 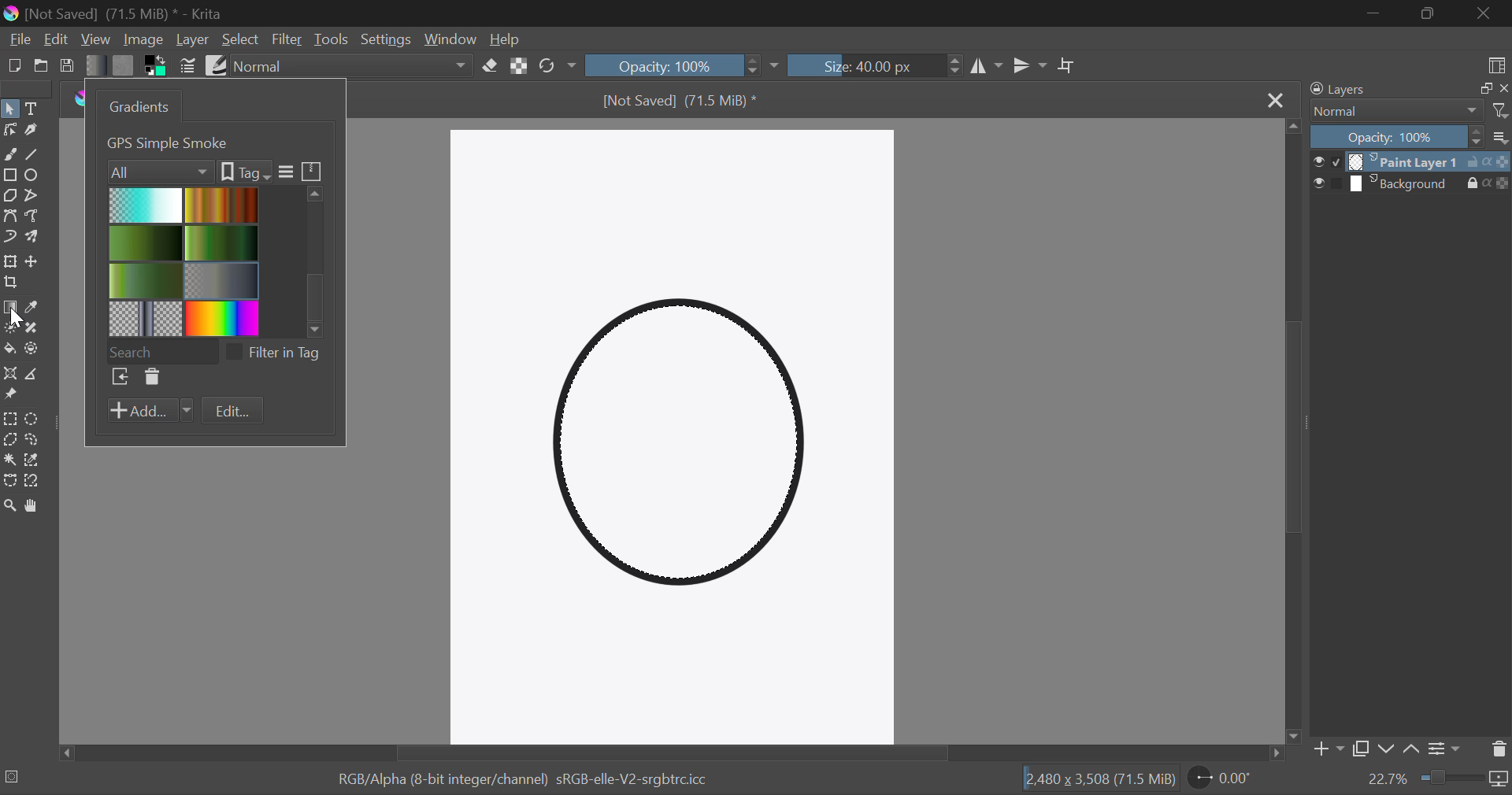 I want to click on Calligraphic Tool, so click(x=34, y=133).